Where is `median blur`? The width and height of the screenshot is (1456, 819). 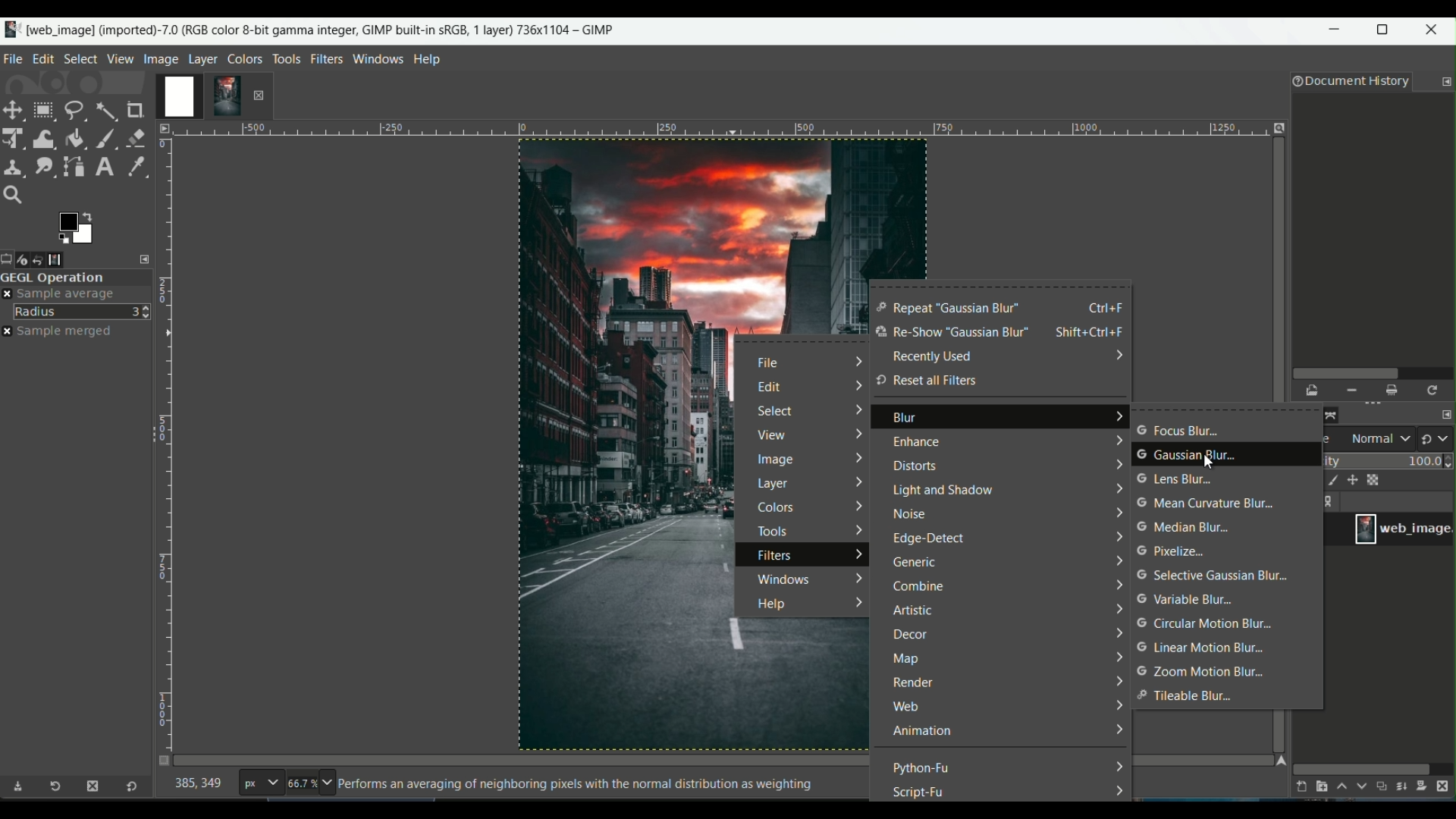
median blur is located at coordinates (1185, 529).